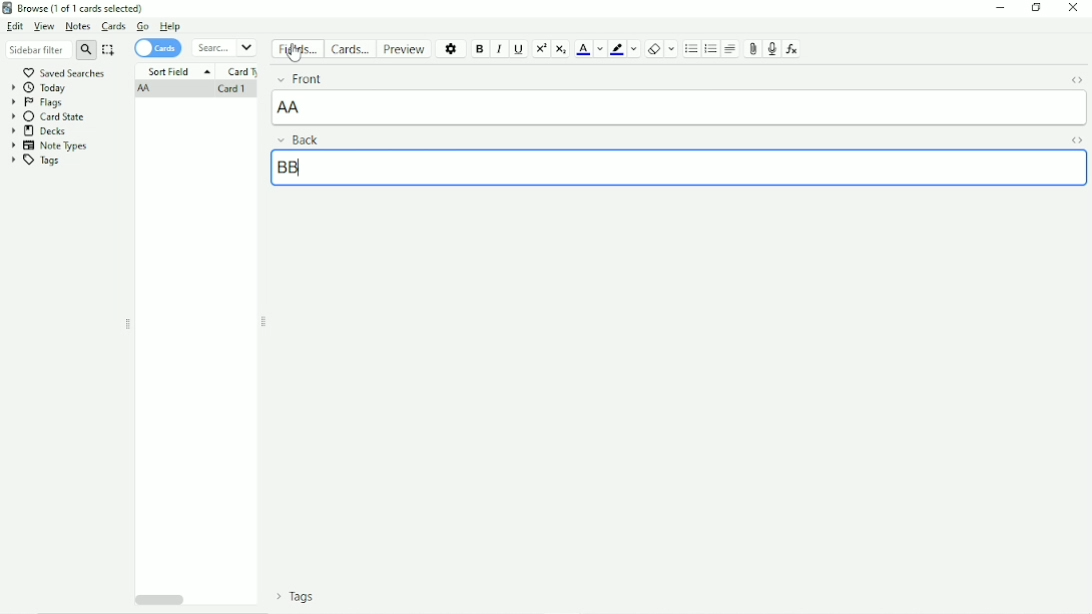 This screenshot has width=1092, height=614. I want to click on Select, so click(109, 50).